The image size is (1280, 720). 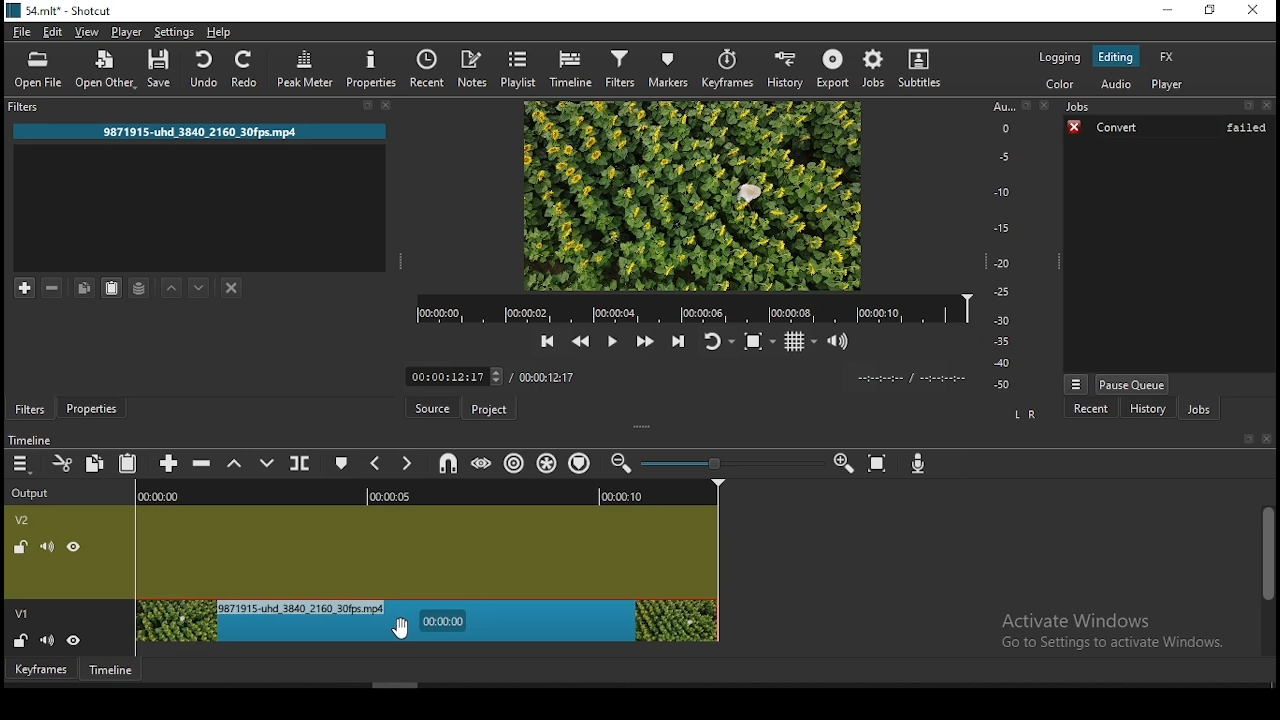 I want to click on file, so click(x=24, y=33).